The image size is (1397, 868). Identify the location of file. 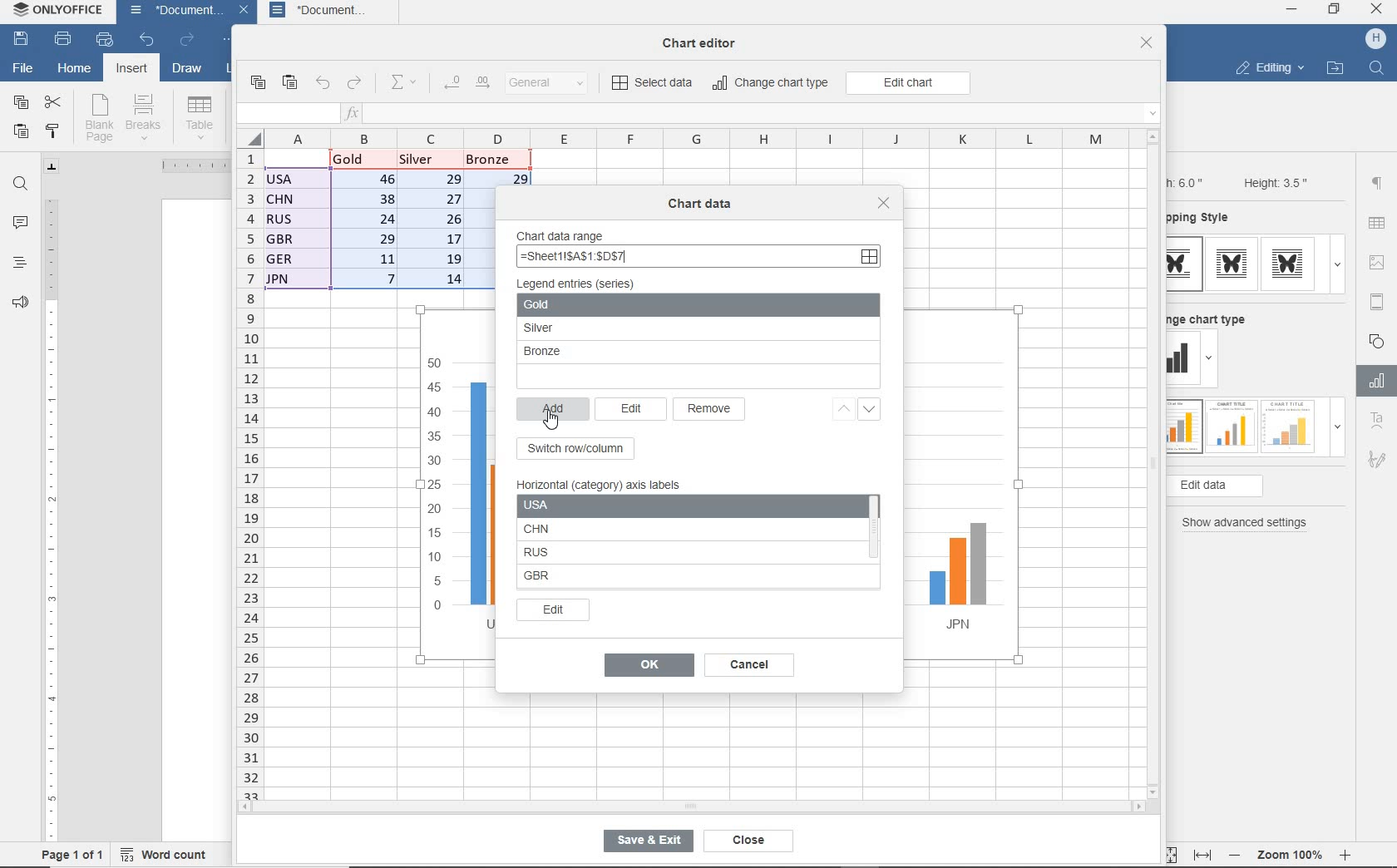
(22, 67).